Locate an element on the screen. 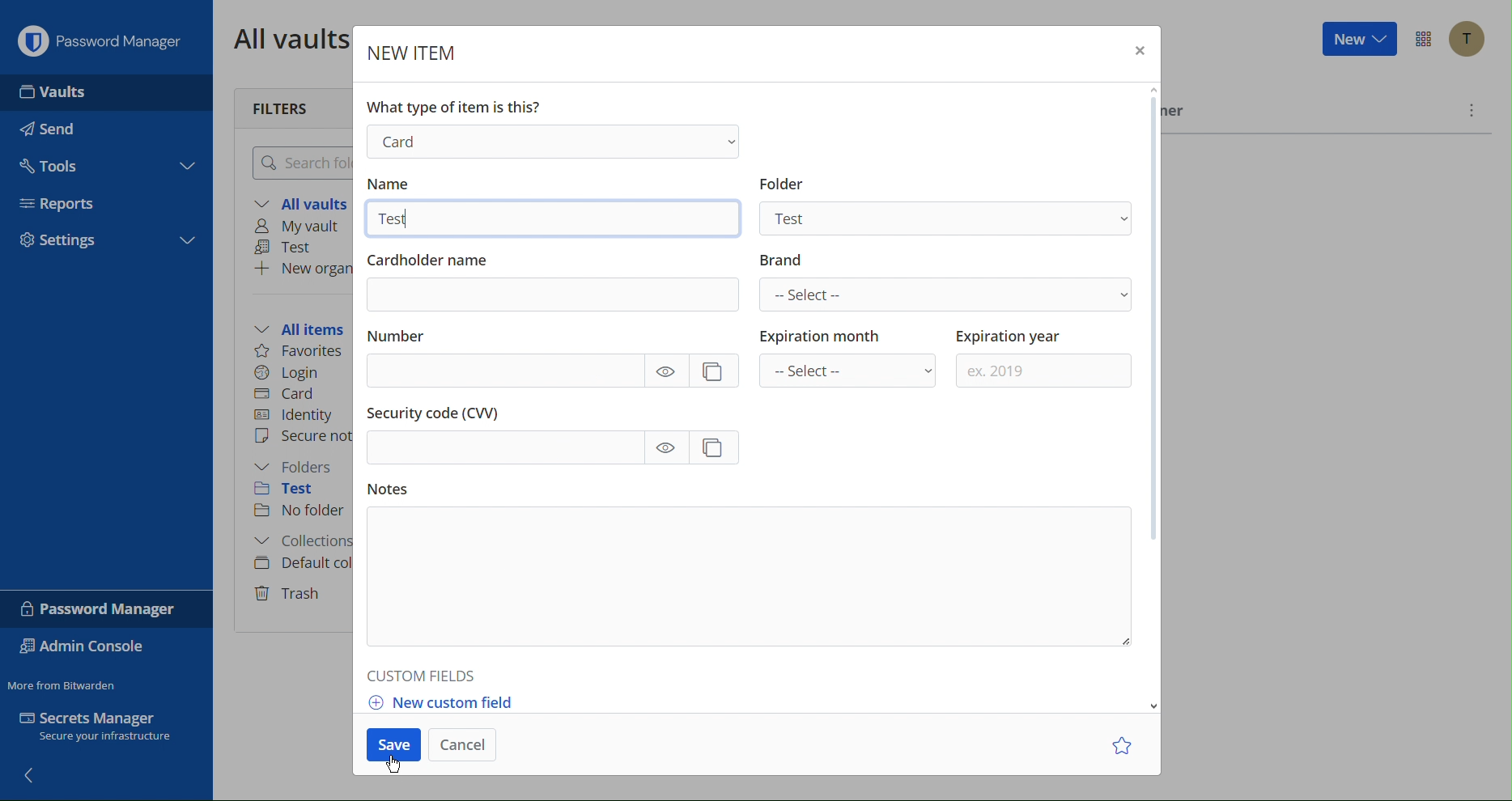 This screenshot has height=801, width=1512. All vaults is located at coordinates (287, 37).